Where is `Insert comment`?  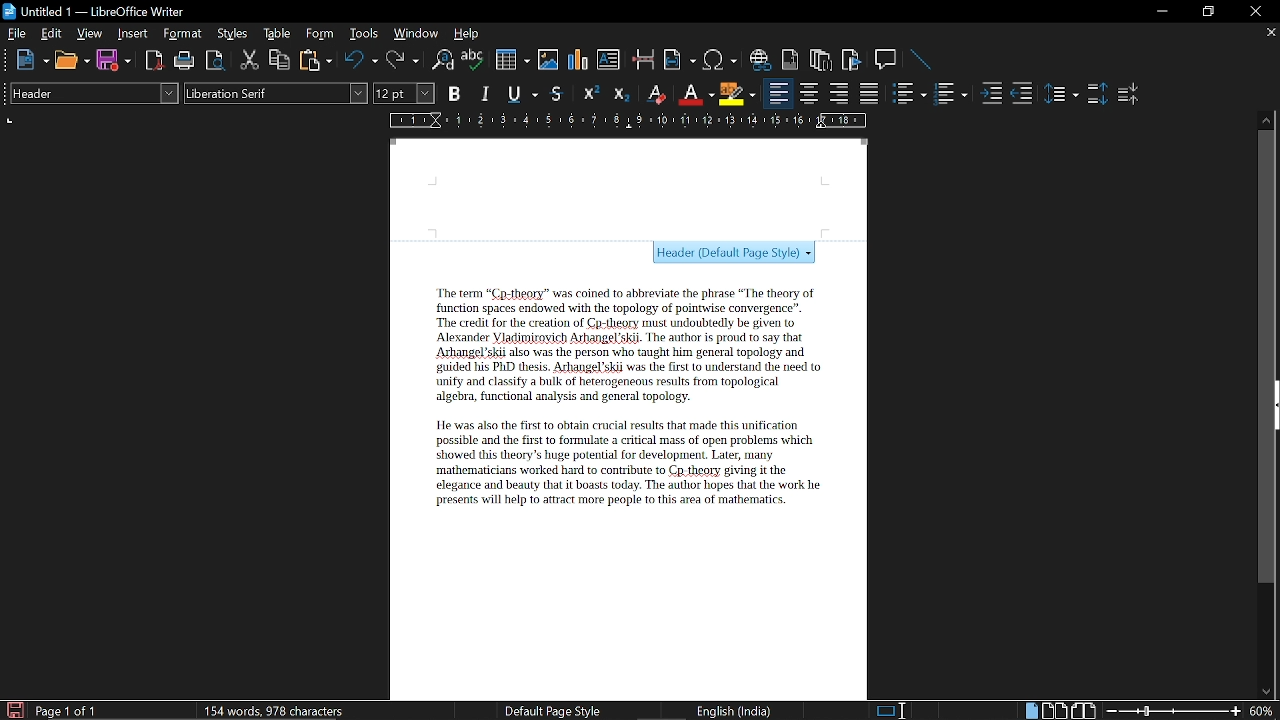
Insert comment is located at coordinates (888, 60).